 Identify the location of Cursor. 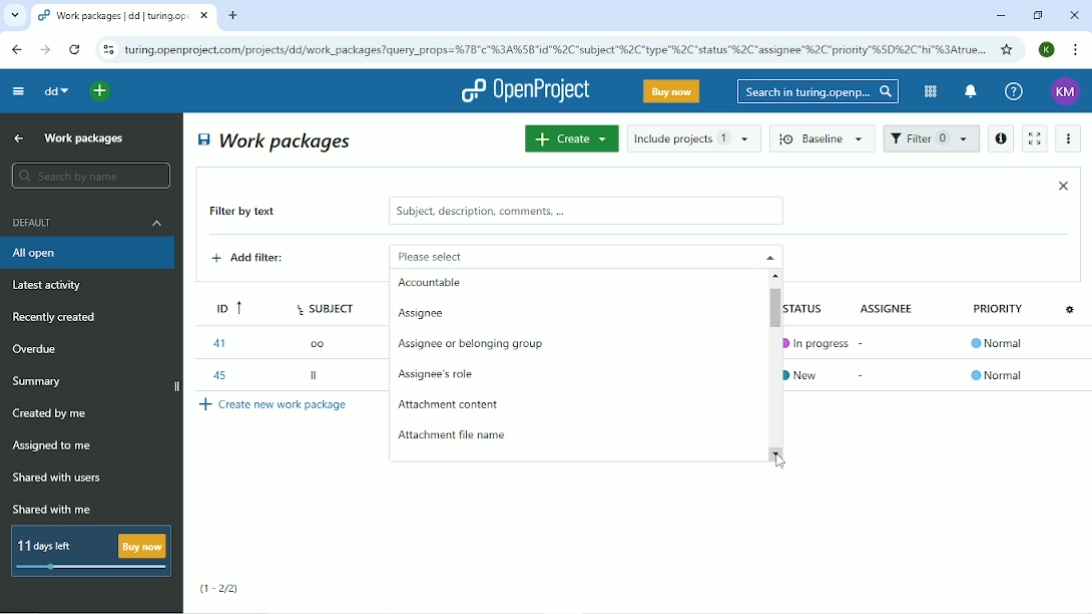
(786, 460).